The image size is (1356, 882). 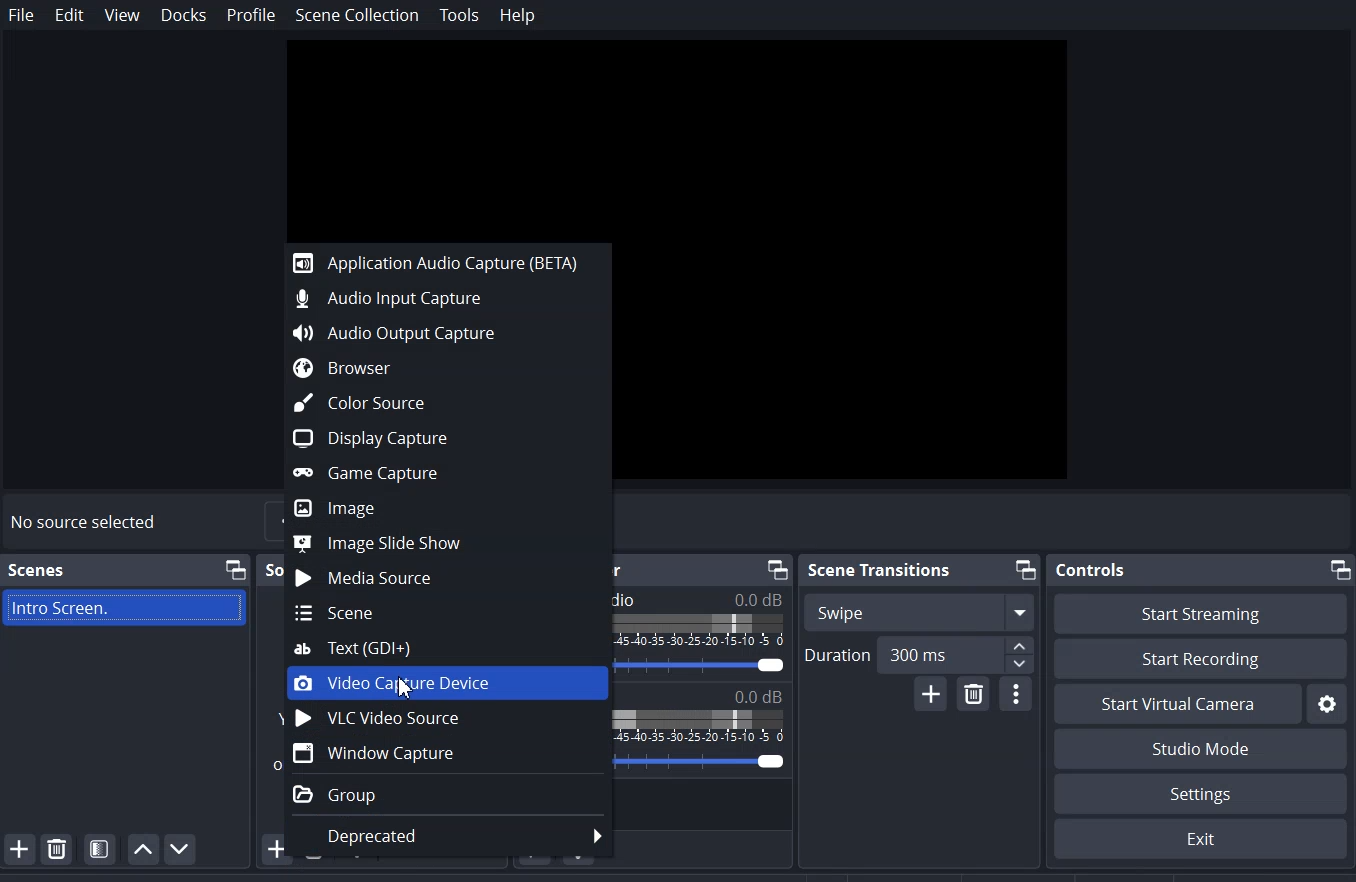 What do you see at coordinates (19, 848) in the screenshot?
I see `Add Scene` at bounding box center [19, 848].